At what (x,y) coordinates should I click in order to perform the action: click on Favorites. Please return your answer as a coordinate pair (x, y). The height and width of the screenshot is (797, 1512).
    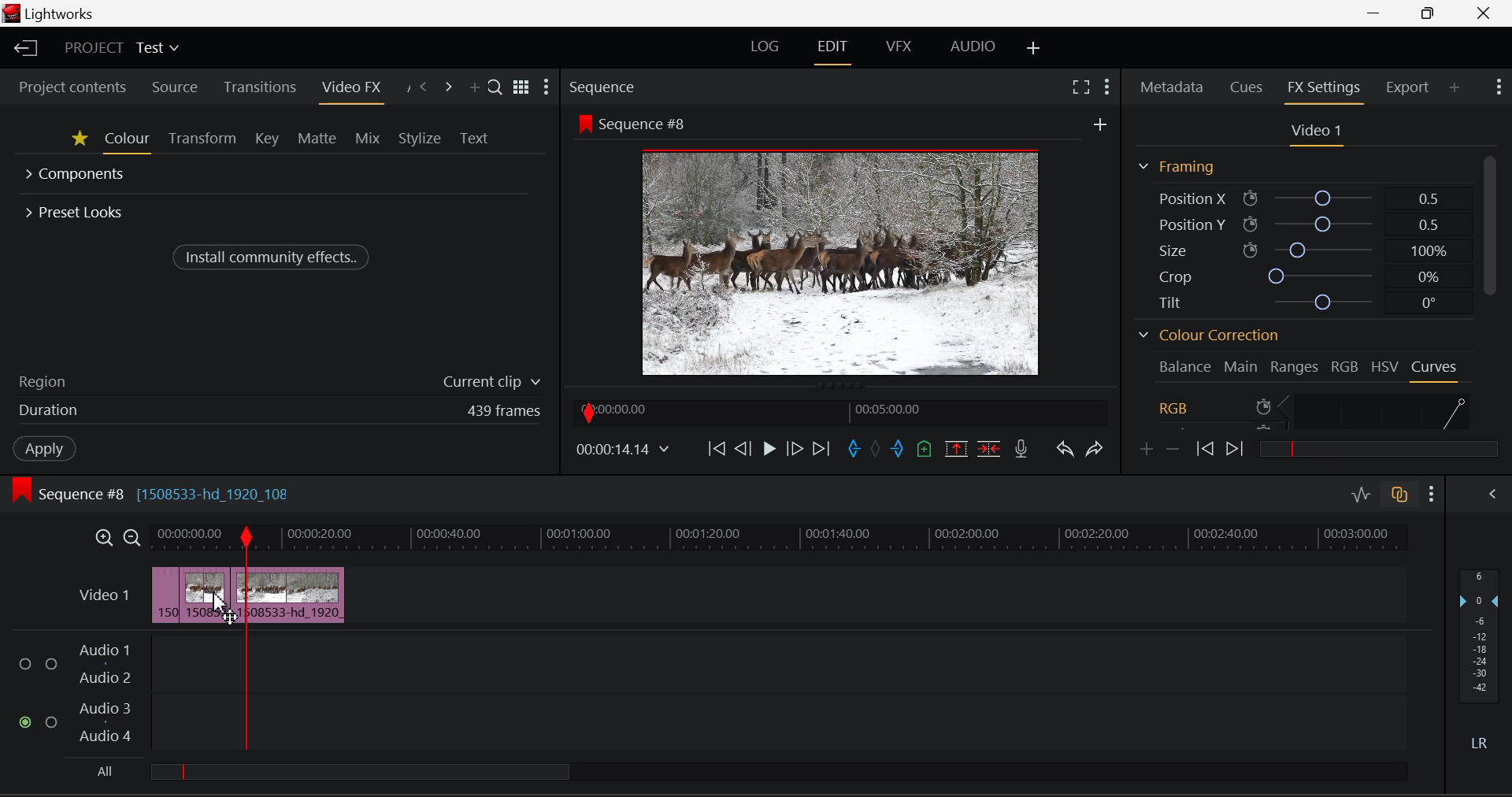
    Looking at the image, I should click on (79, 141).